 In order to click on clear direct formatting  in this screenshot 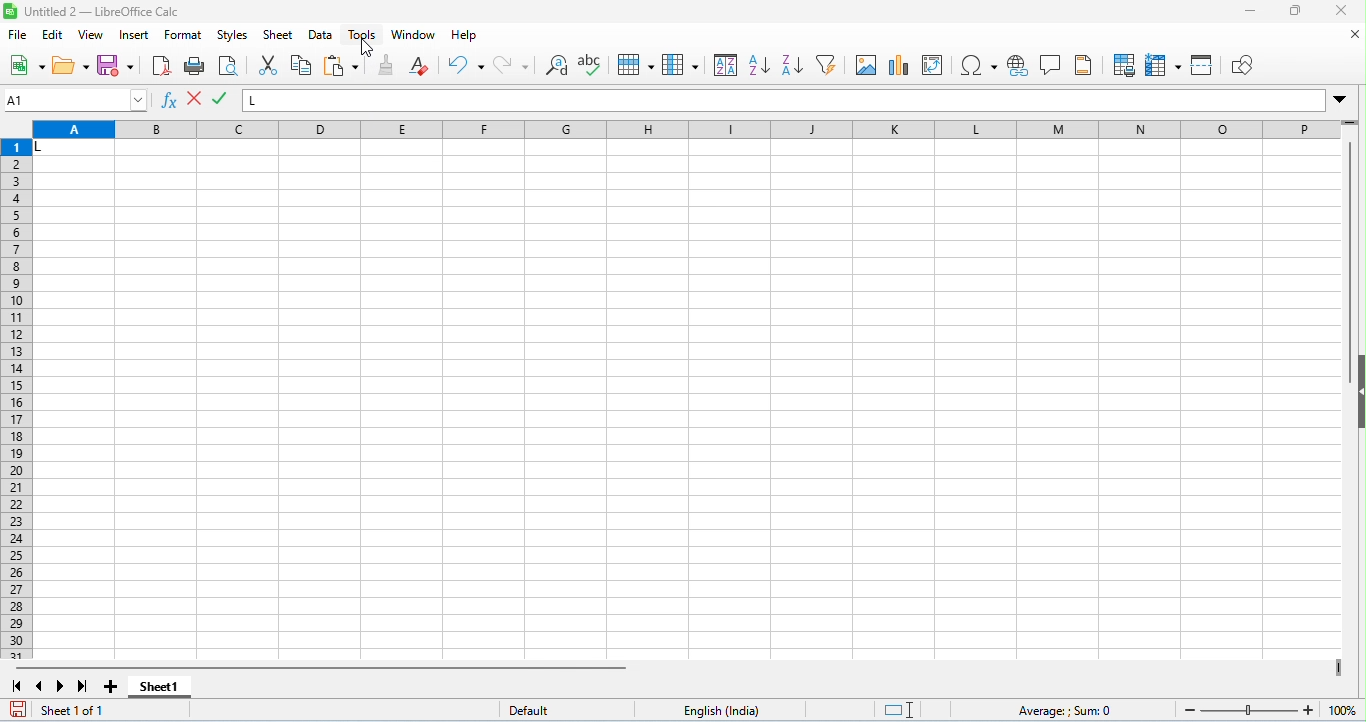, I will do `click(419, 65)`.